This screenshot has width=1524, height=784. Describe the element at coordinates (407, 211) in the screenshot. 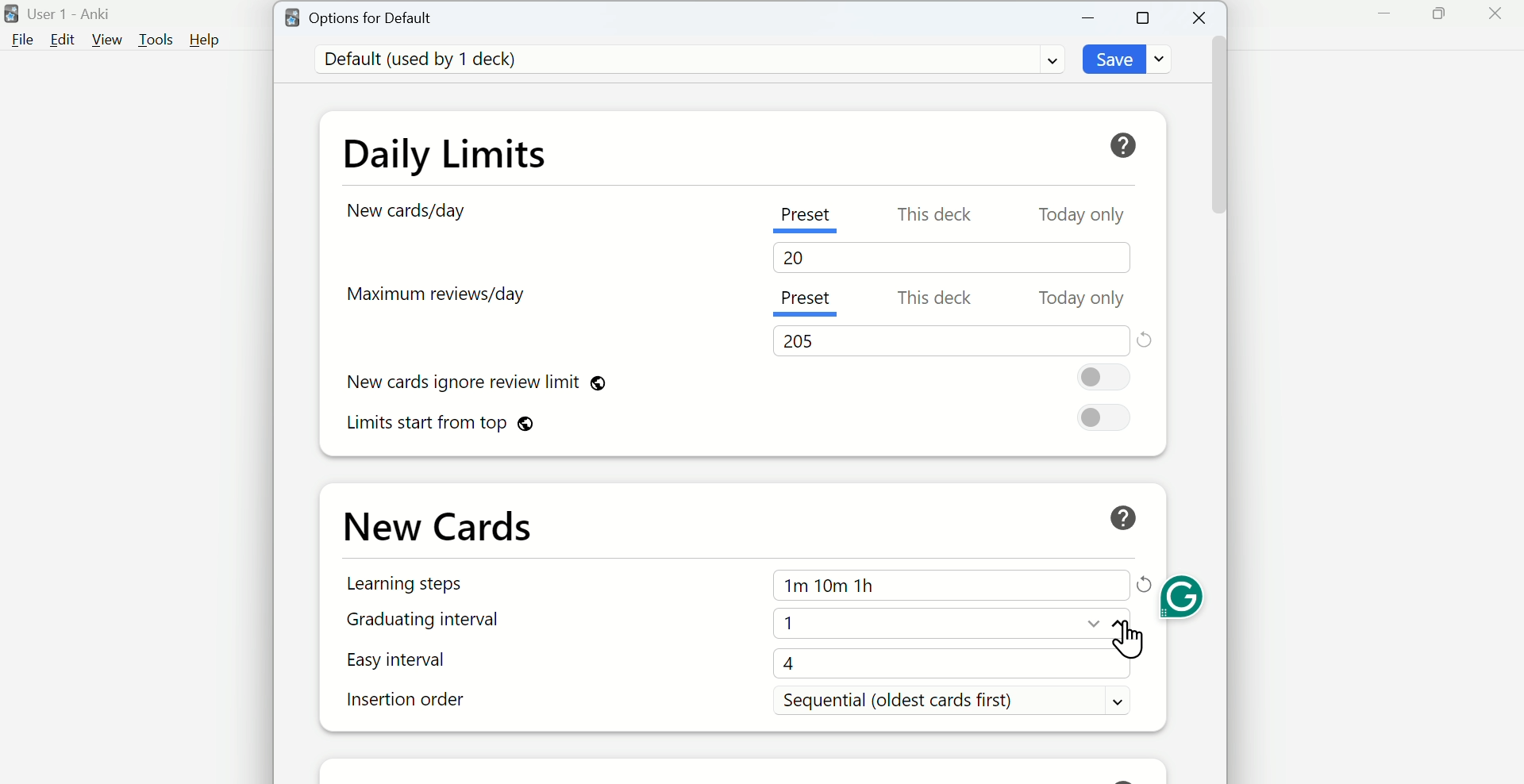

I see `New card/day` at that location.